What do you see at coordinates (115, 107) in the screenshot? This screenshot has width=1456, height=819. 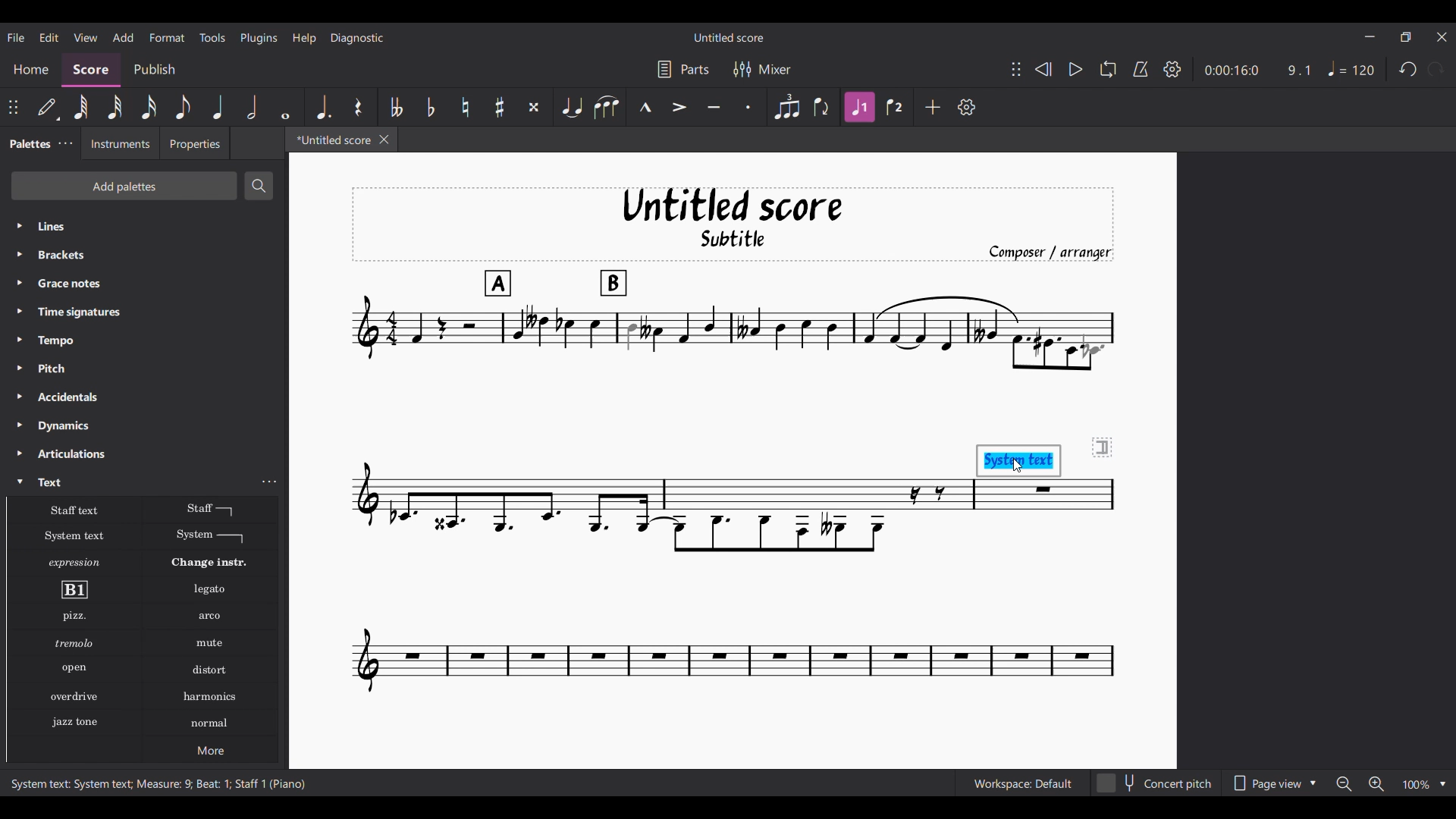 I see `32nd note` at bounding box center [115, 107].